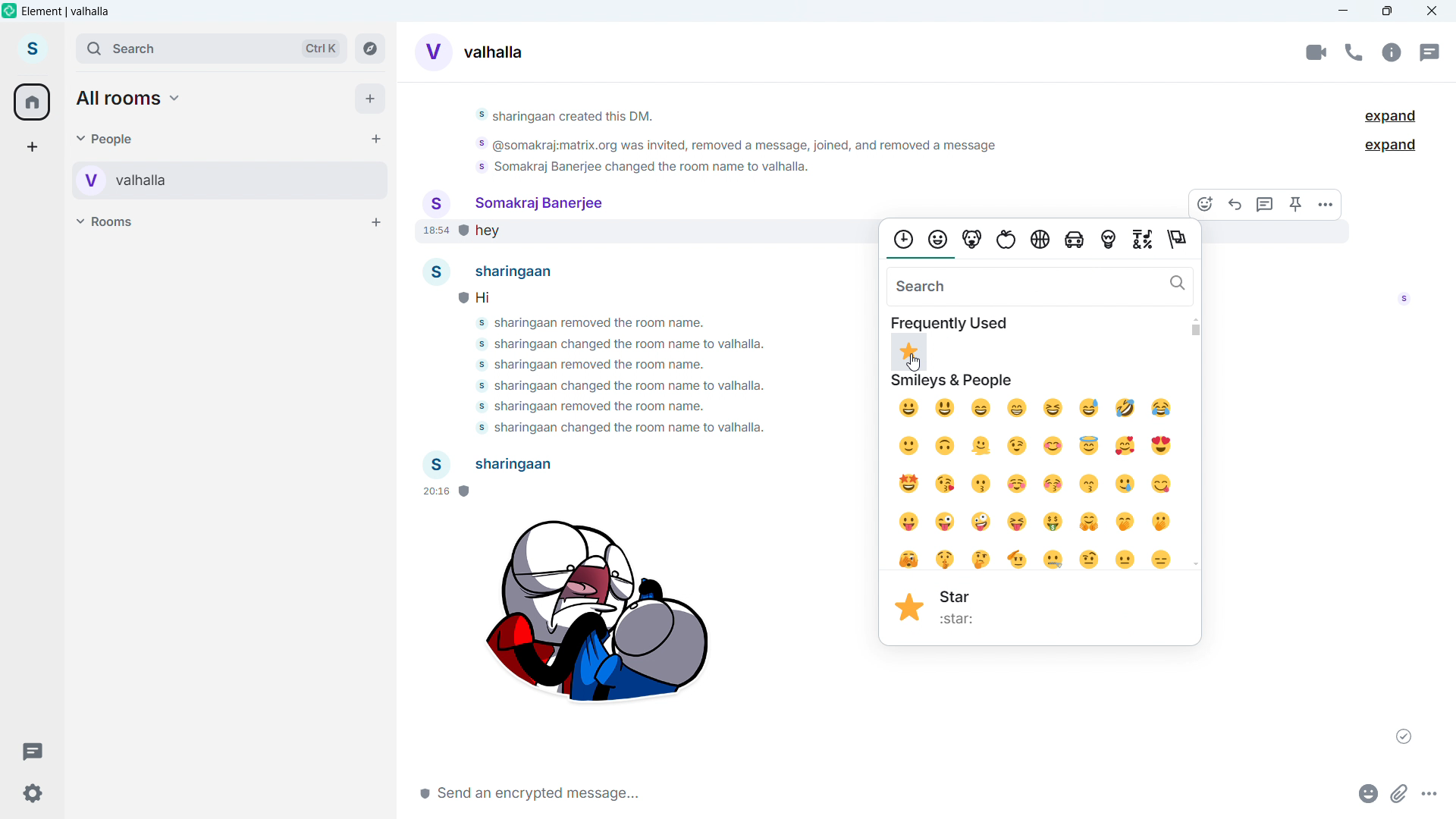  What do you see at coordinates (32, 147) in the screenshot?
I see `add a space` at bounding box center [32, 147].